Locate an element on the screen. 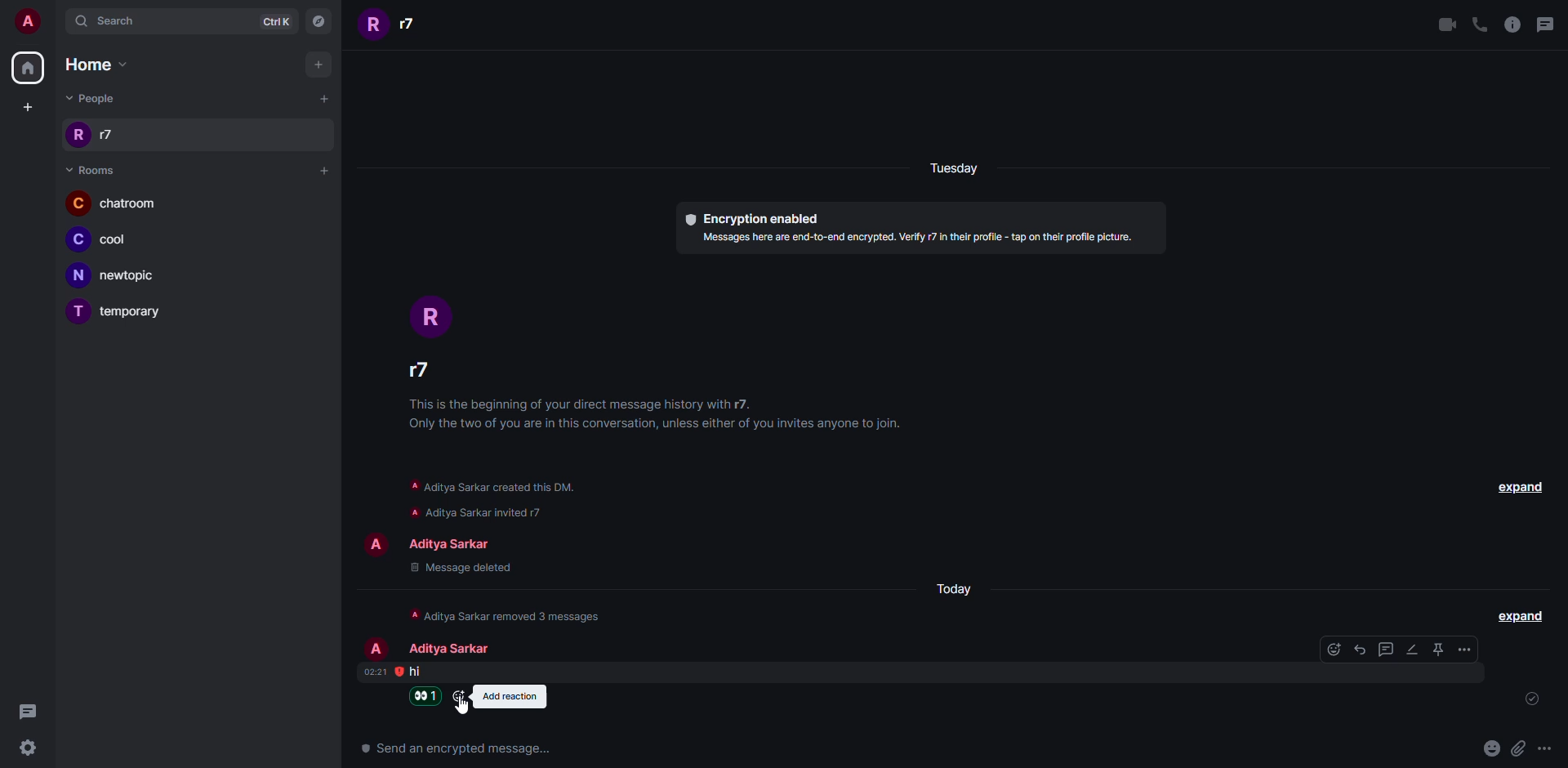  attach is located at coordinates (1517, 748).